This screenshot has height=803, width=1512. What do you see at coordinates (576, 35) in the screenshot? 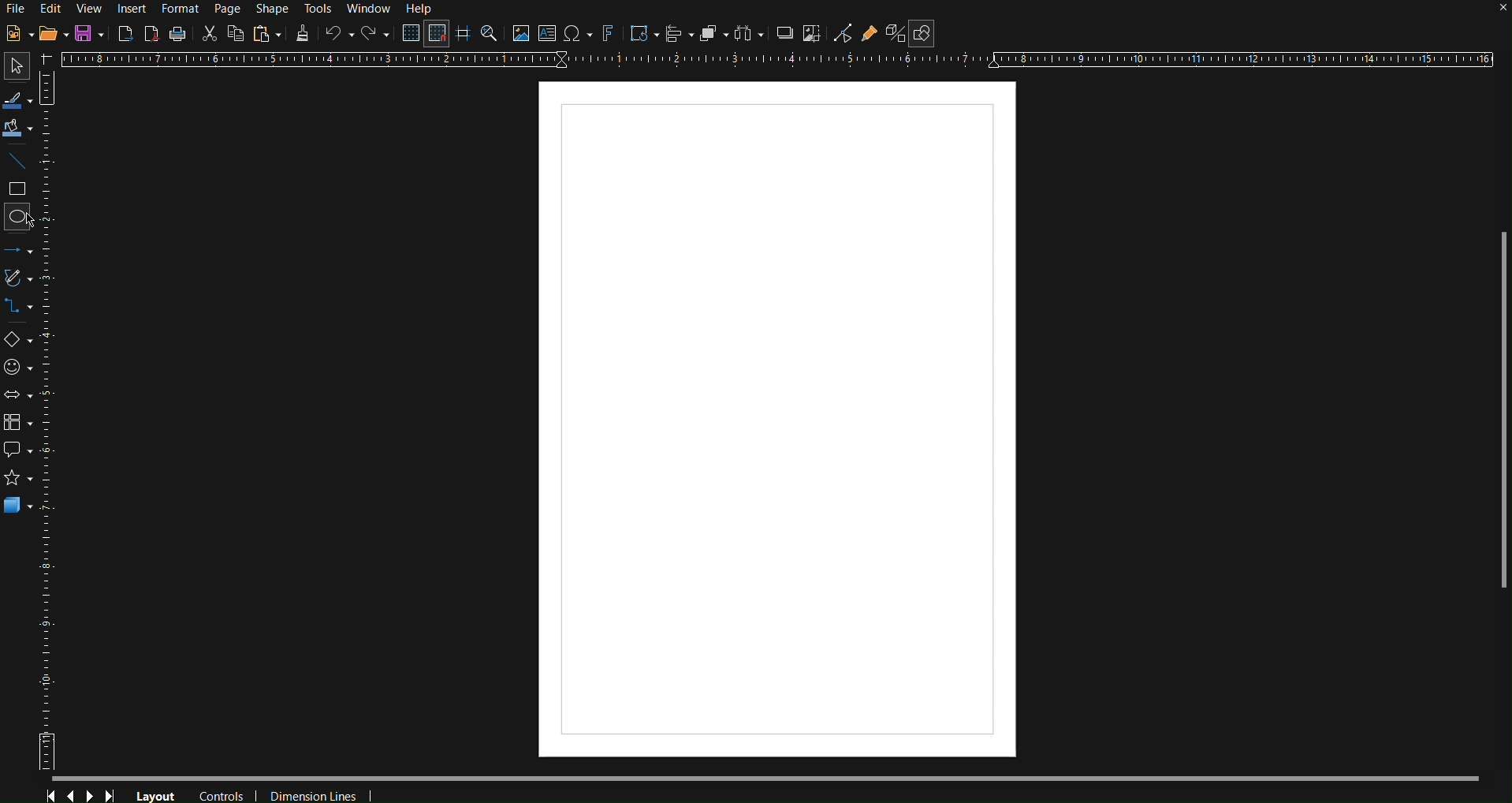
I see `Insert special character` at bounding box center [576, 35].